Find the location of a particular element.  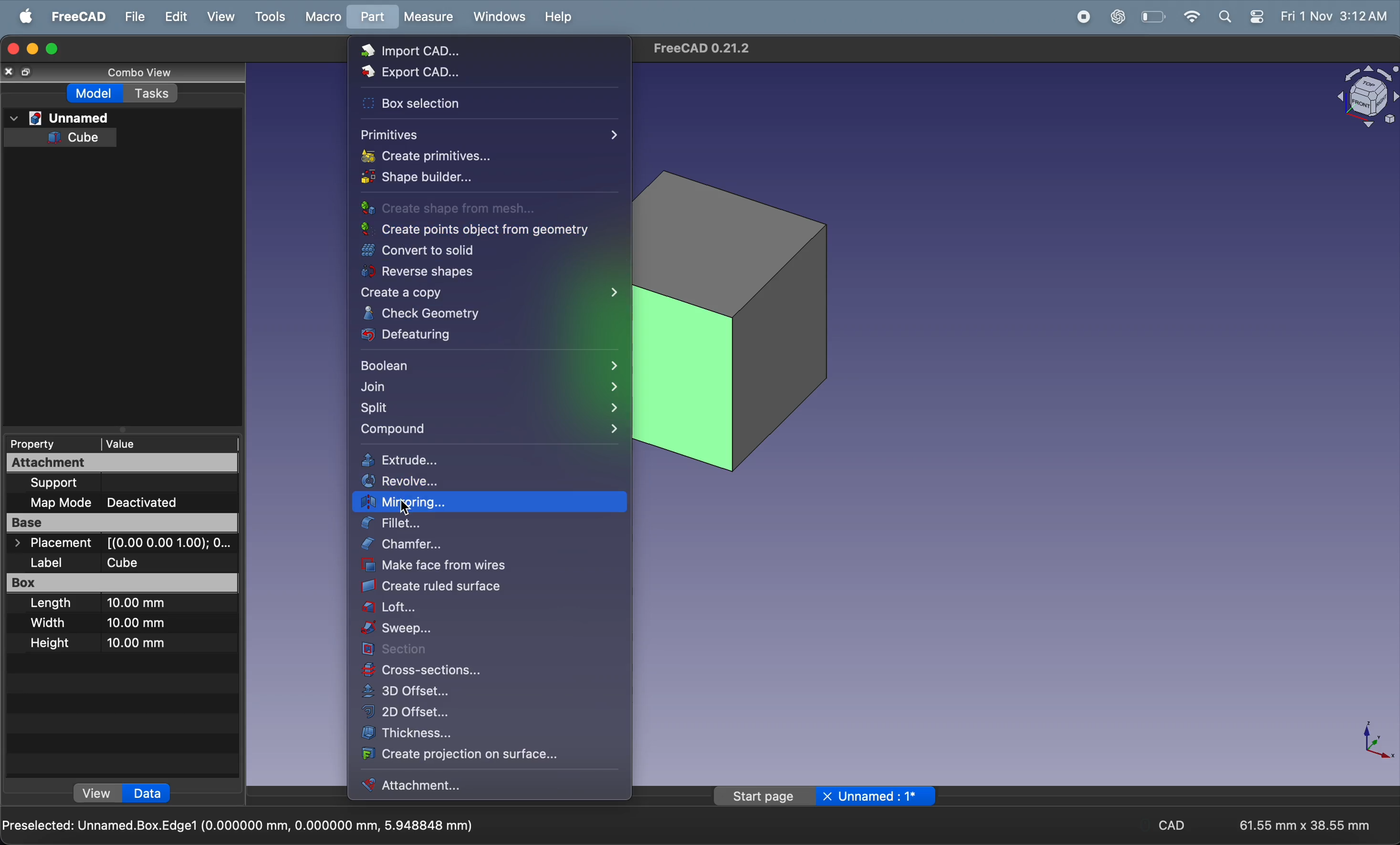

loft is located at coordinates (484, 608).